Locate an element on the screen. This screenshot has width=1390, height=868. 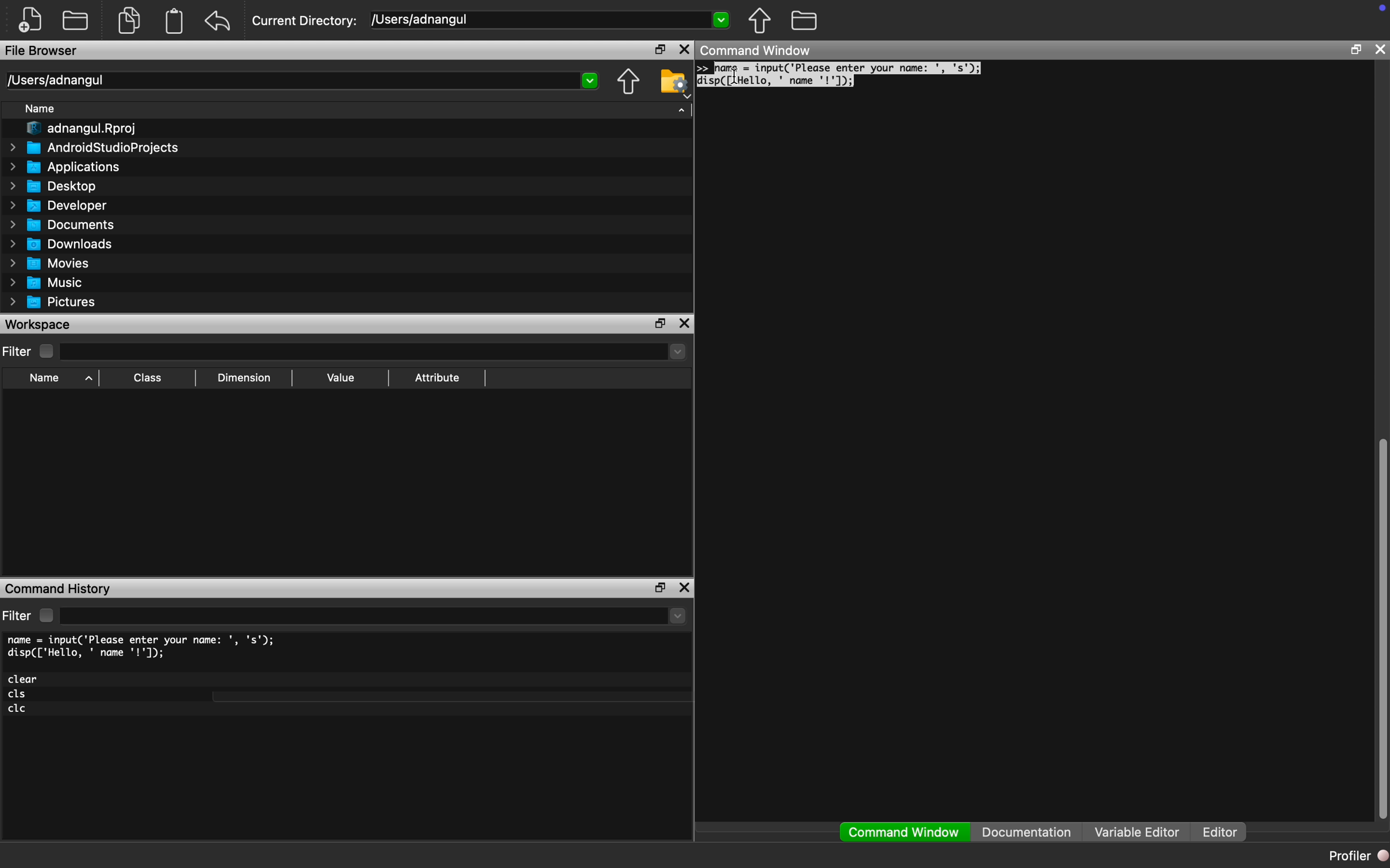
Applications is located at coordinates (66, 167).